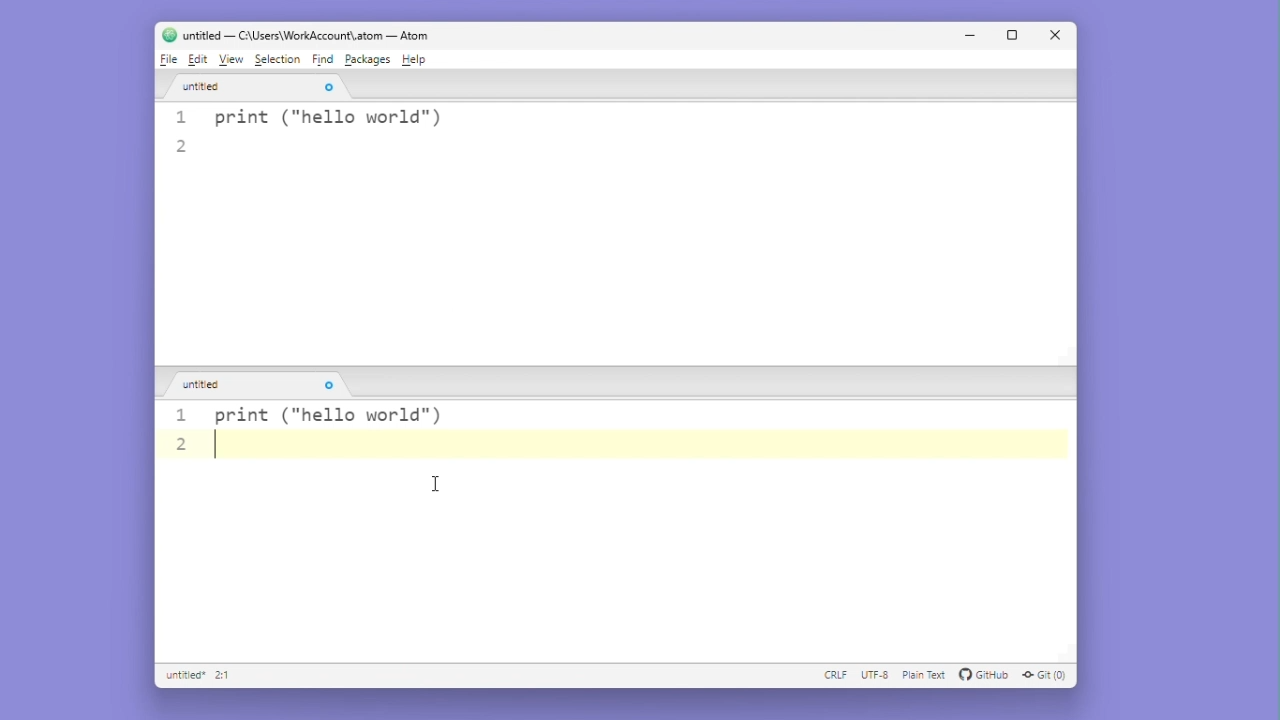 The image size is (1280, 720). Describe the element at coordinates (976, 37) in the screenshot. I see `Minimise` at that location.